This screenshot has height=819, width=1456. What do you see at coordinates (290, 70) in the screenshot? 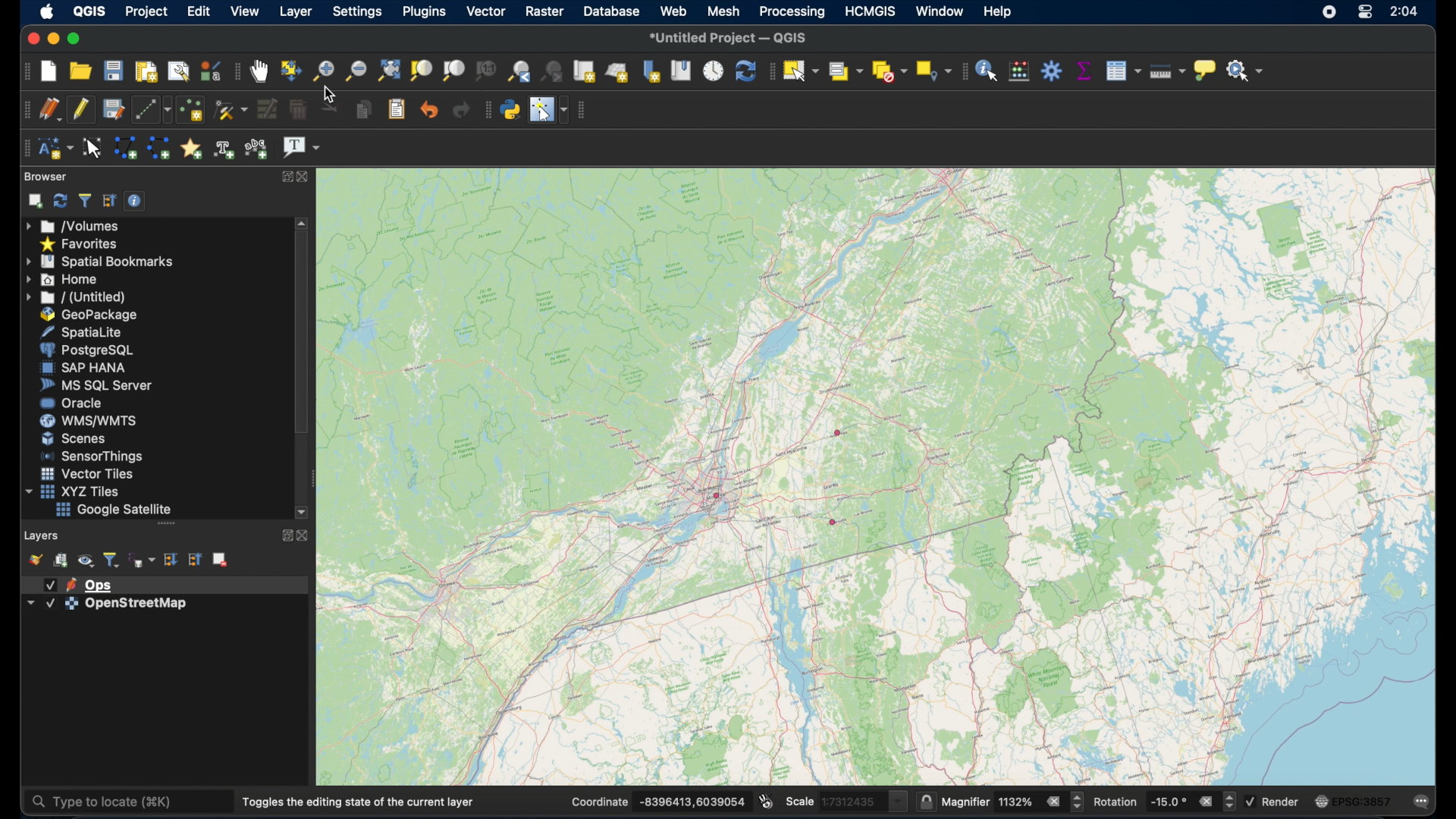
I see `pan map to selection ` at bounding box center [290, 70].